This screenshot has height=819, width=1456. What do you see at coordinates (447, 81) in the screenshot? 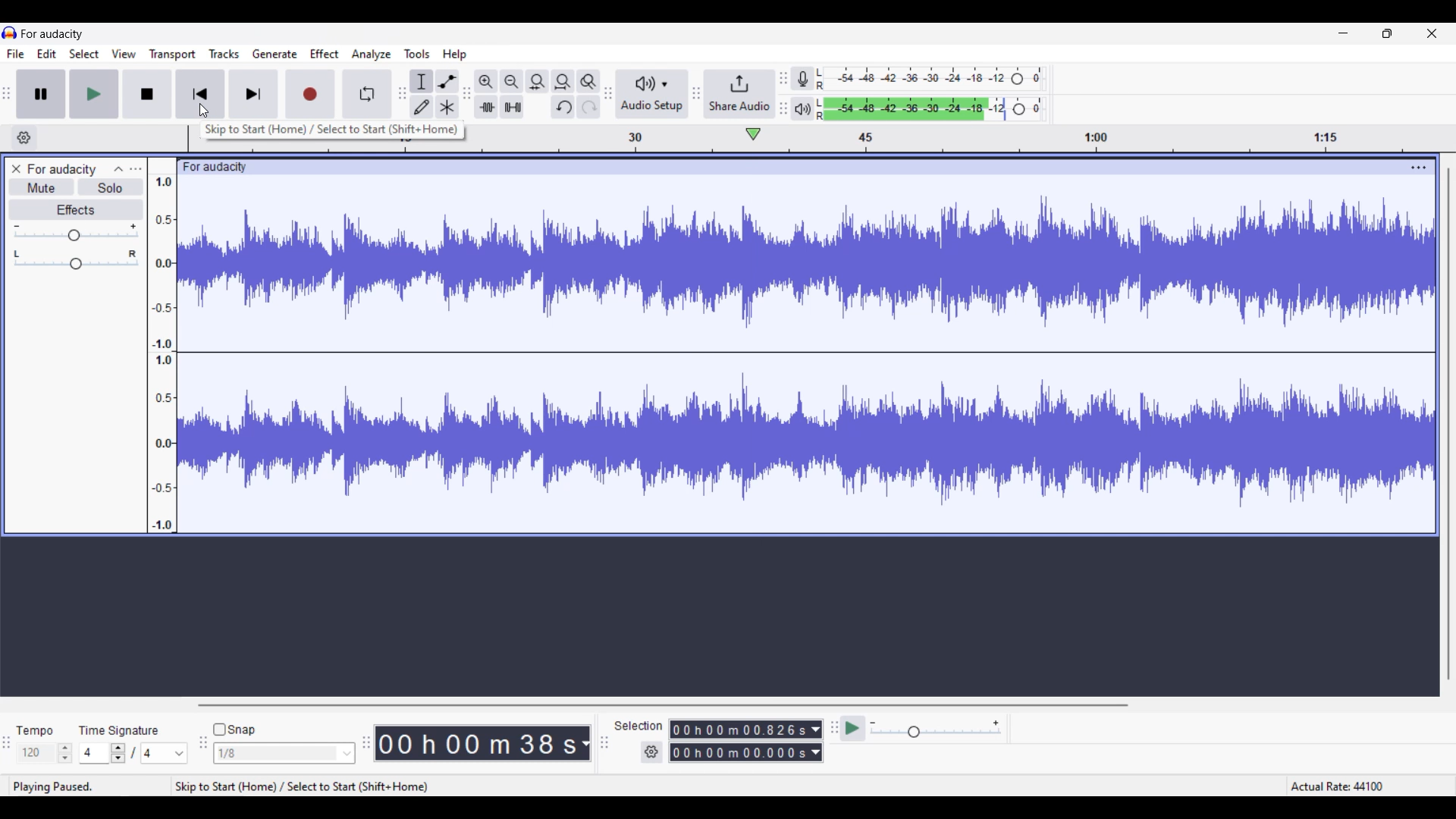
I see `Envelop tool` at bounding box center [447, 81].